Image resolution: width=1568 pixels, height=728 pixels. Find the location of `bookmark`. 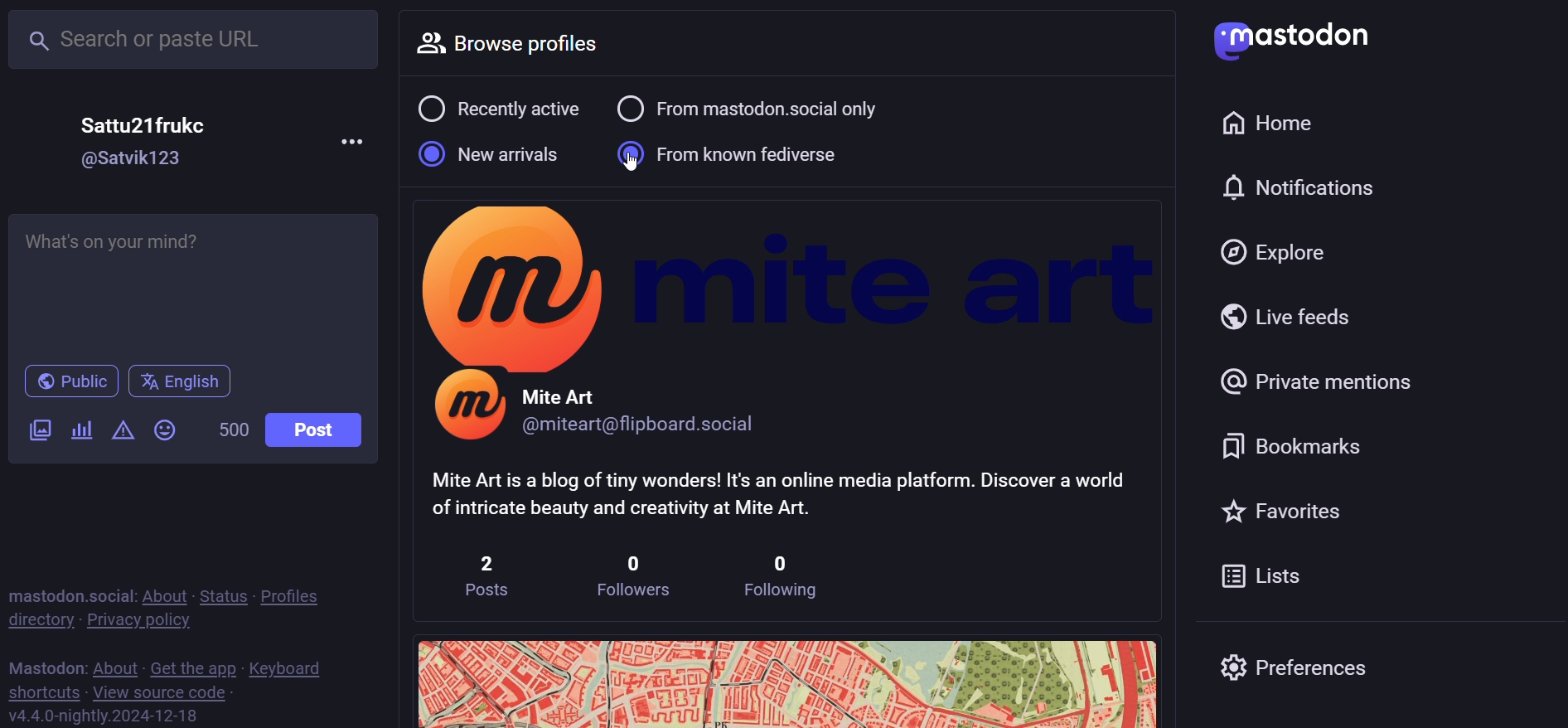

bookmark is located at coordinates (1290, 444).